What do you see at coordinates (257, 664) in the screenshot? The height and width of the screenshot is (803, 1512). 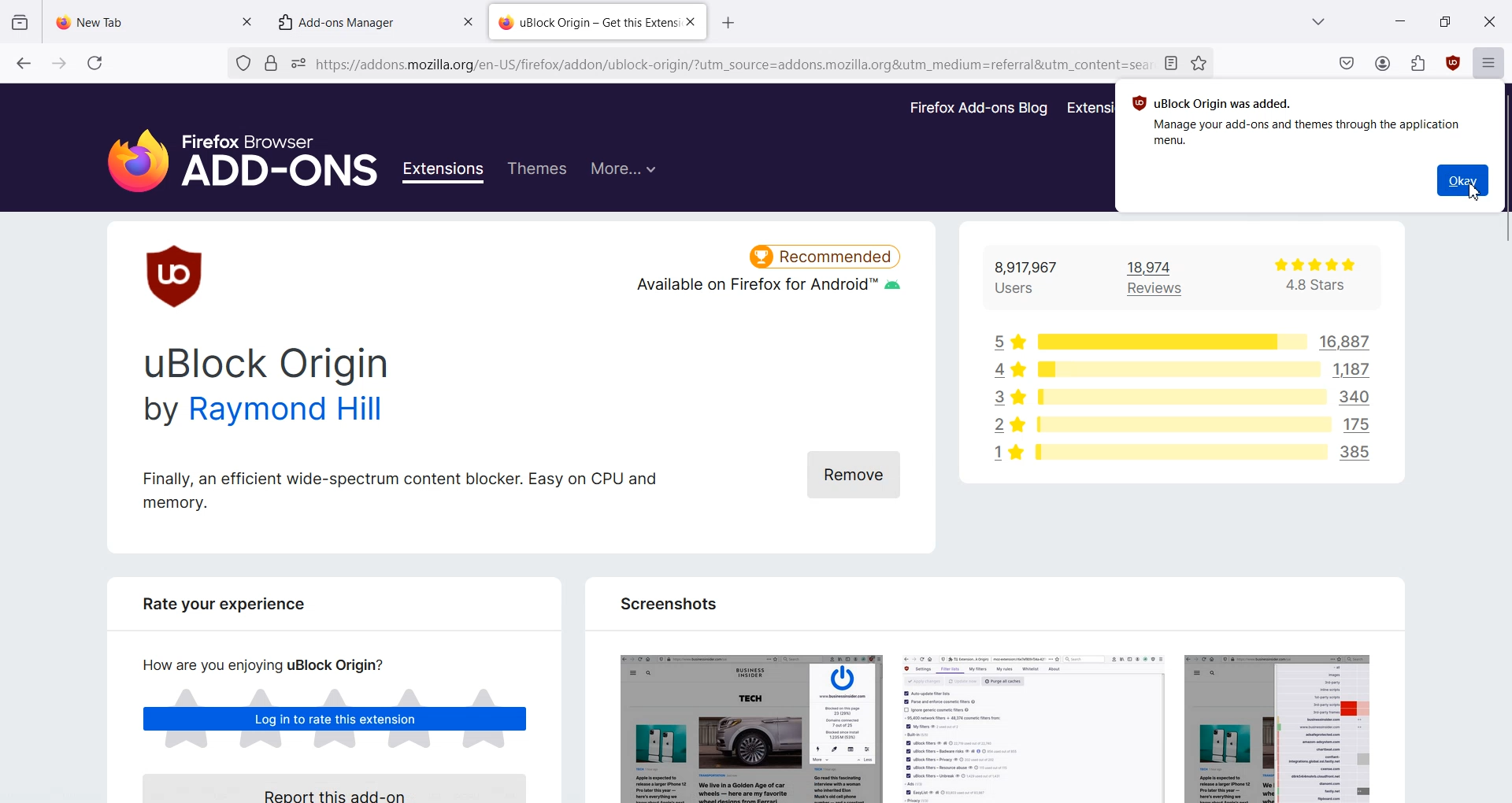 I see `How are you enjoying uBlock Origin?` at bounding box center [257, 664].